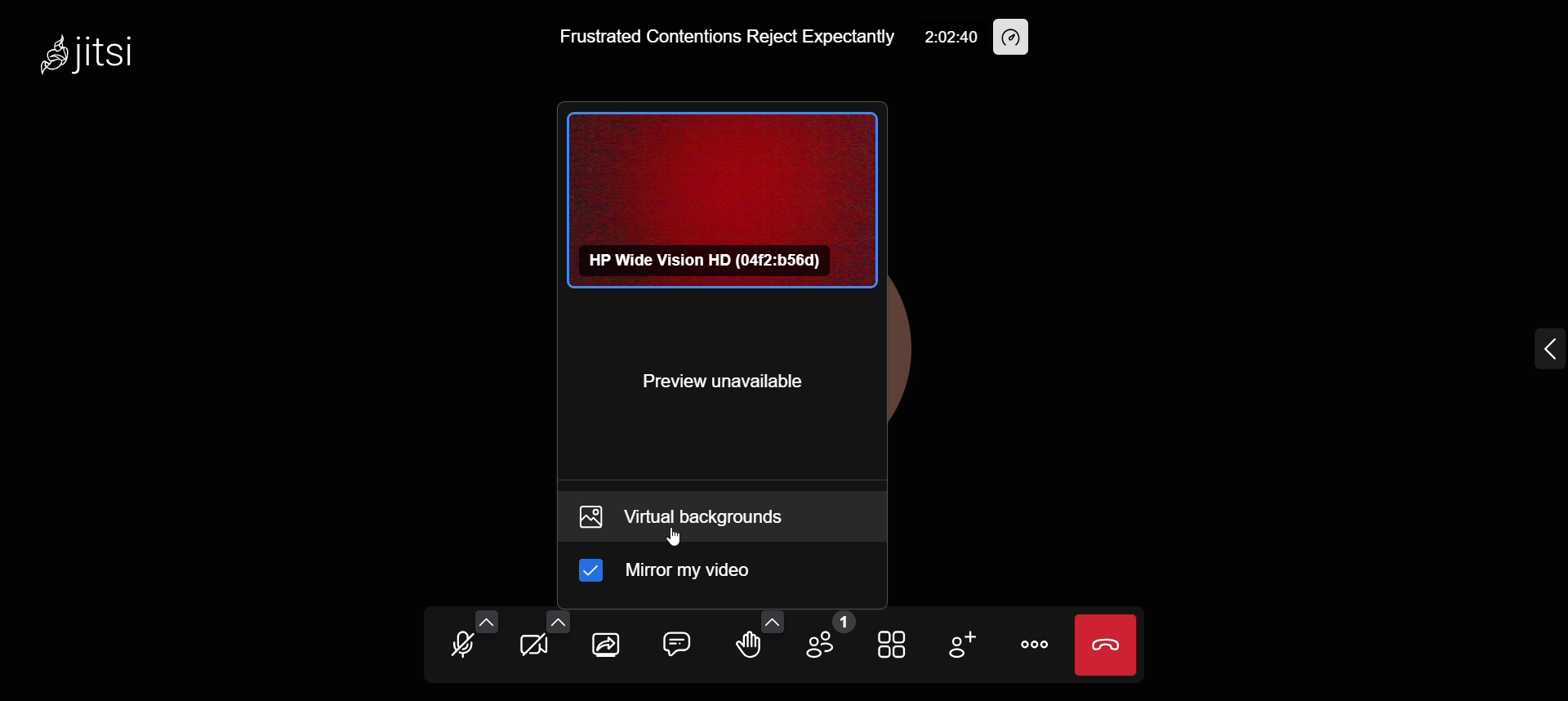 The image size is (1568, 701). What do you see at coordinates (1016, 35) in the screenshot?
I see `performance setting` at bounding box center [1016, 35].